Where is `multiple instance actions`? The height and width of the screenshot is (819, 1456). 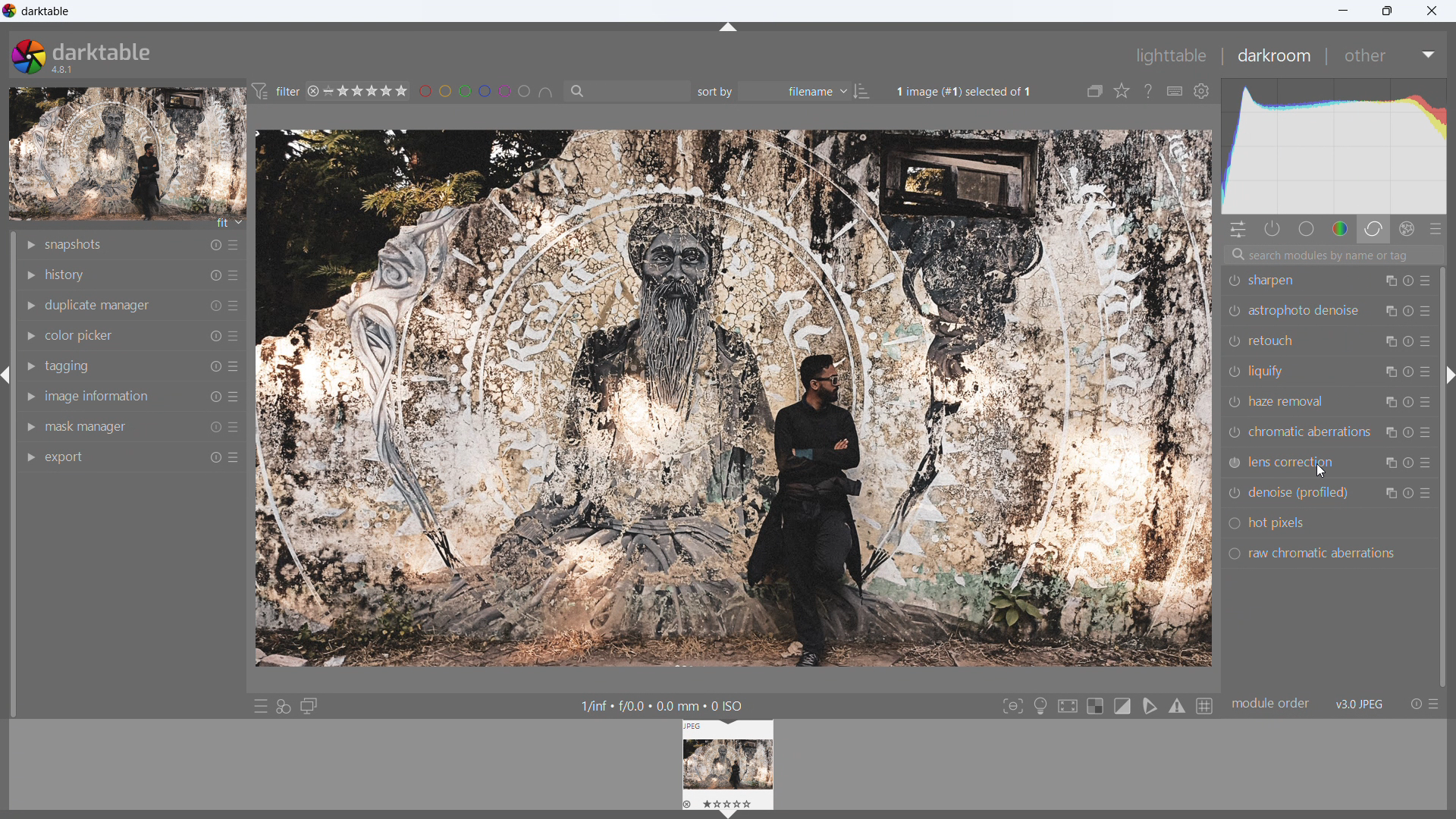
multiple instance actions is located at coordinates (1392, 281).